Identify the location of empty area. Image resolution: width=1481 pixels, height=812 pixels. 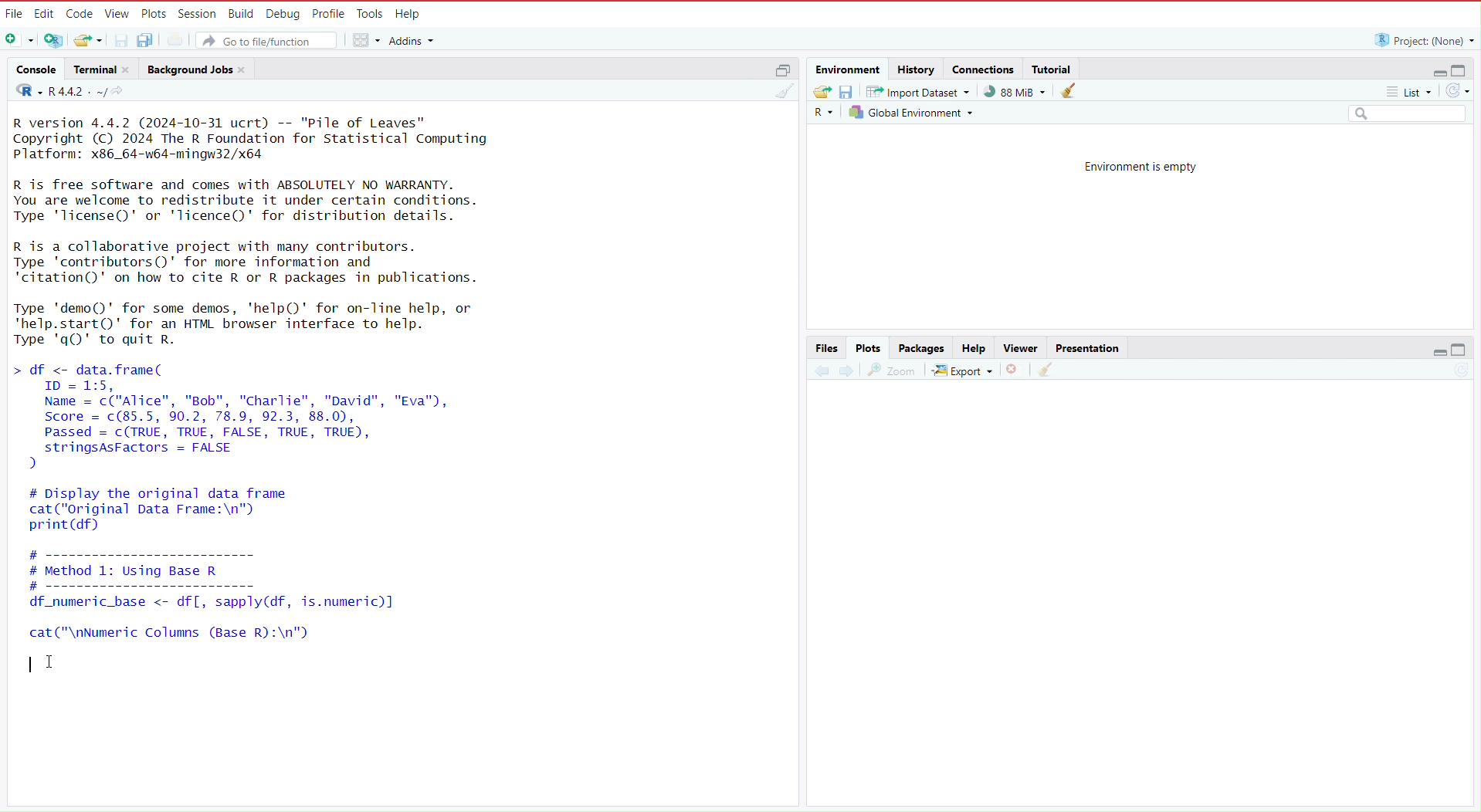
(1125, 604).